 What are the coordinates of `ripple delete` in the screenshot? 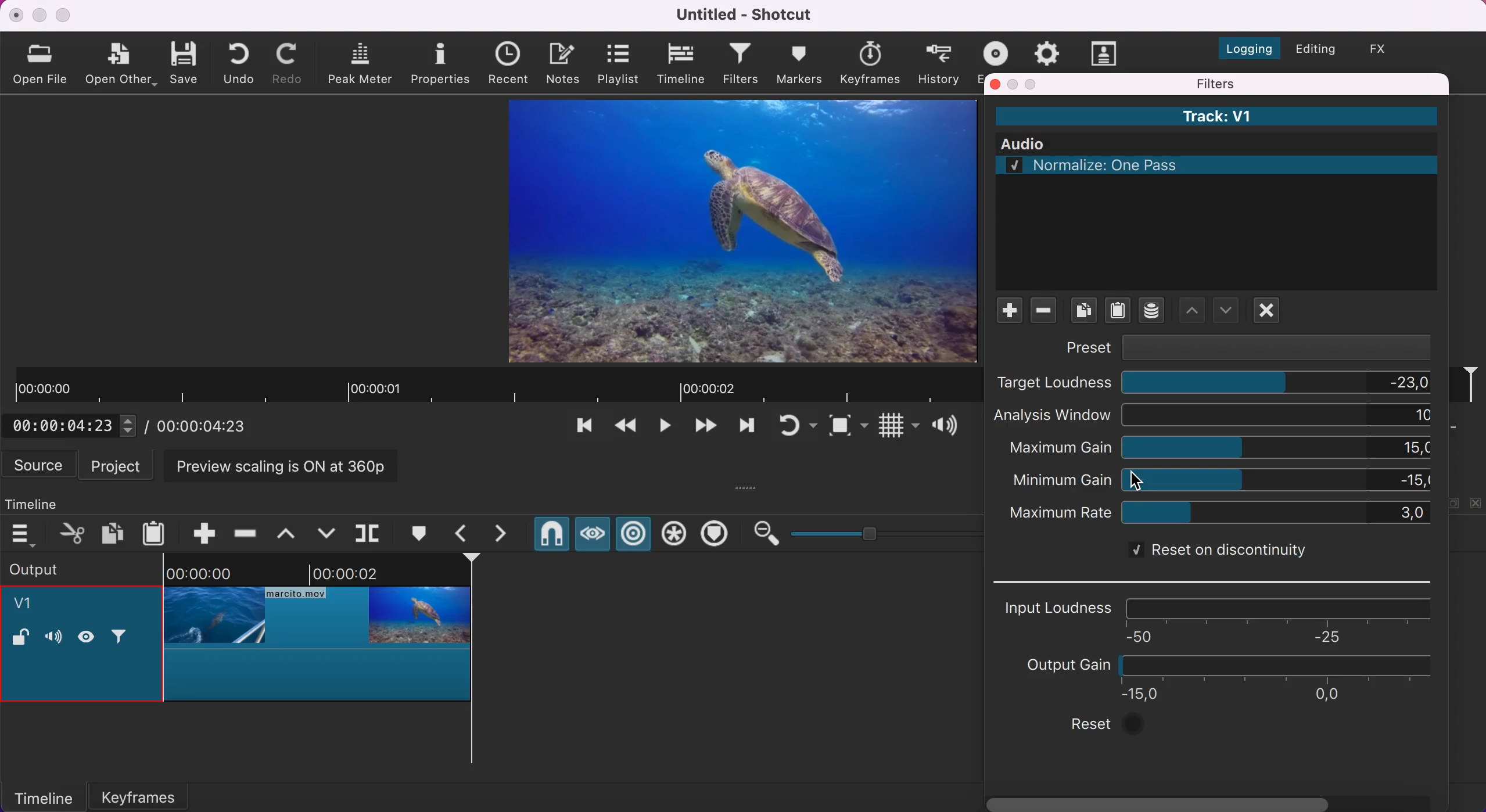 It's located at (246, 530).